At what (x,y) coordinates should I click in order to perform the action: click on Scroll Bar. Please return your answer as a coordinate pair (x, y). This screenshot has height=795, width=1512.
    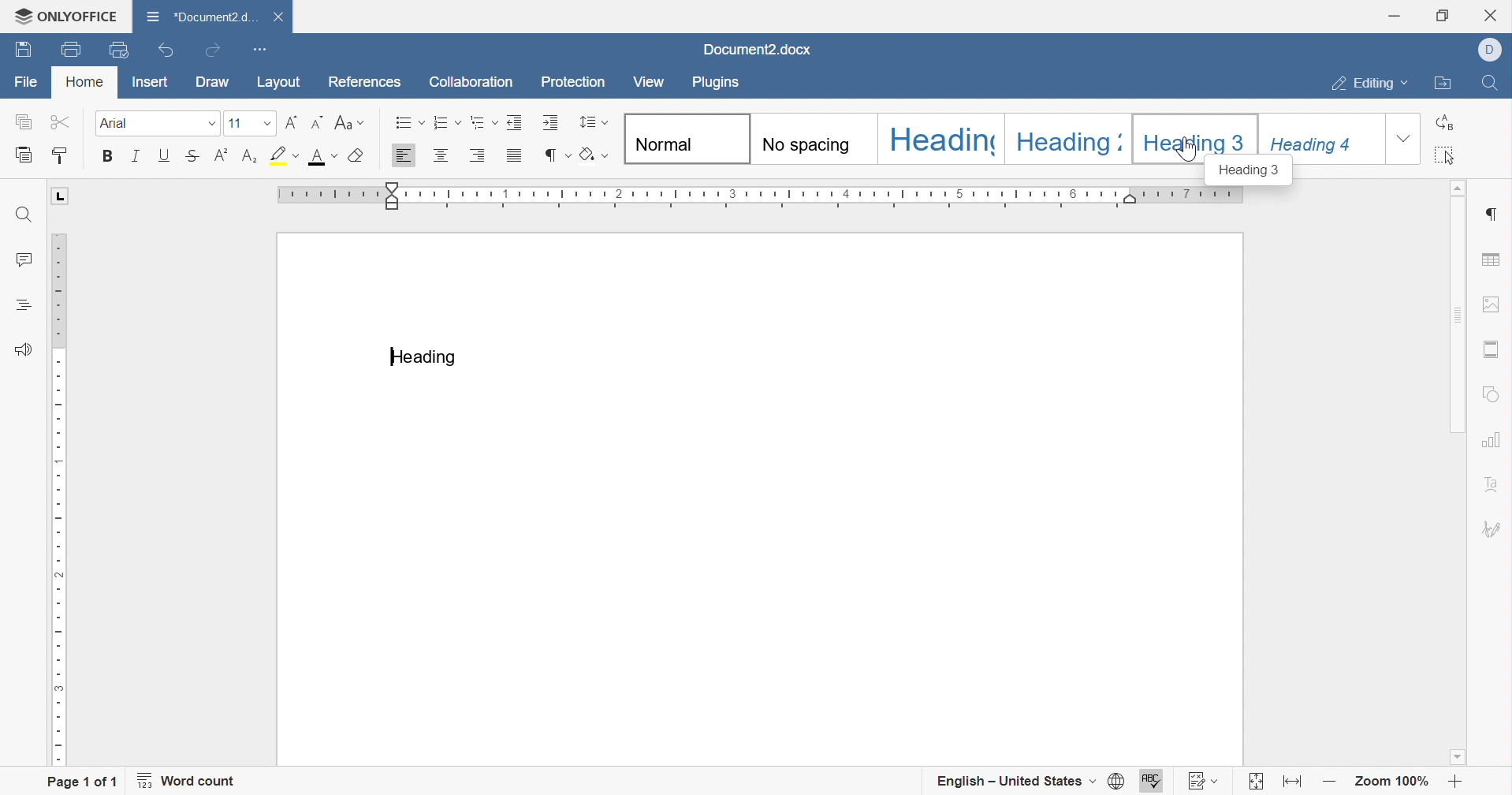
    Looking at the image, I should click on (1462, 473).